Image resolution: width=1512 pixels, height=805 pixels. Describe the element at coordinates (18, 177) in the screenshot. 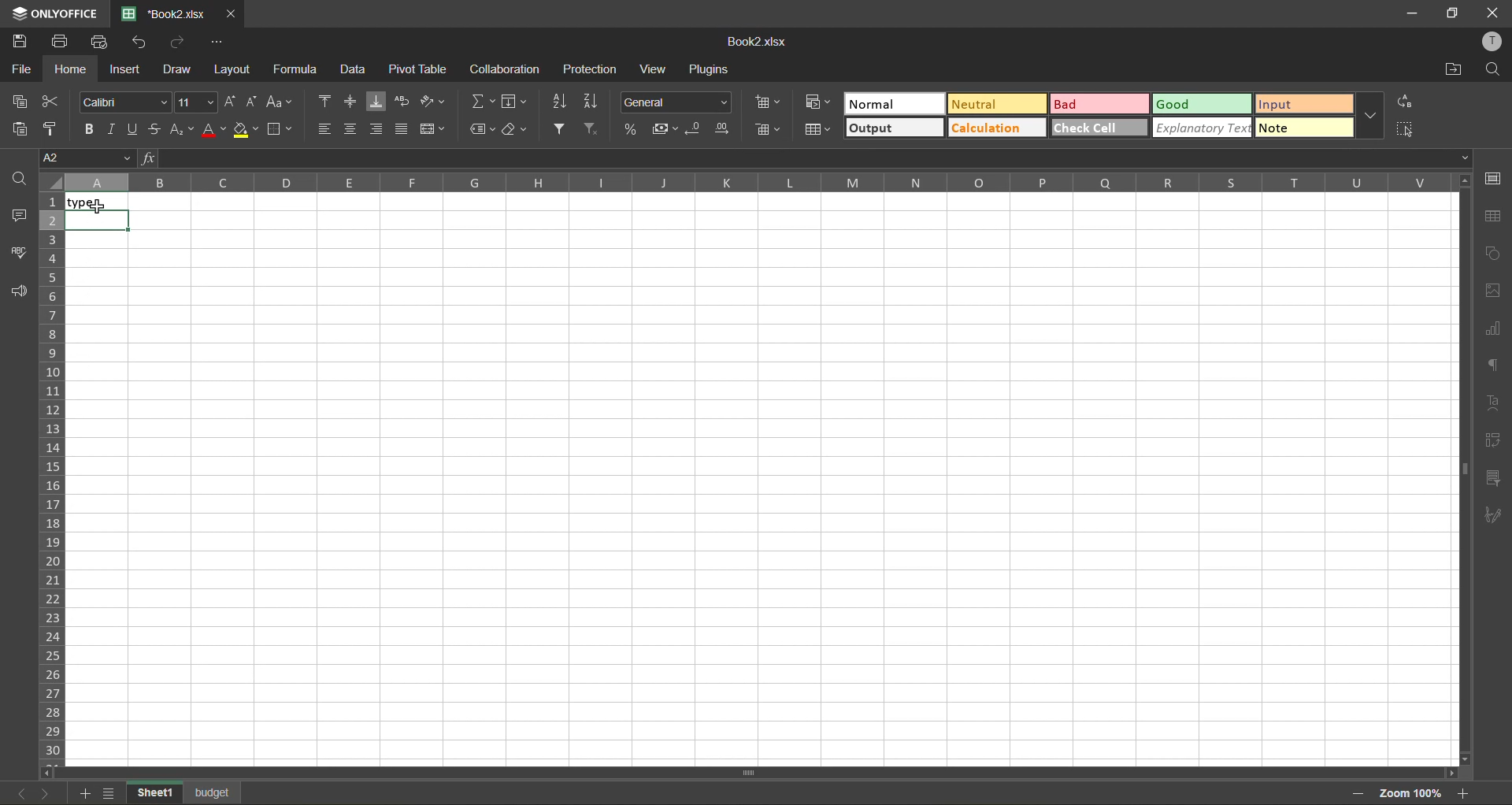

I see `find` at that location.